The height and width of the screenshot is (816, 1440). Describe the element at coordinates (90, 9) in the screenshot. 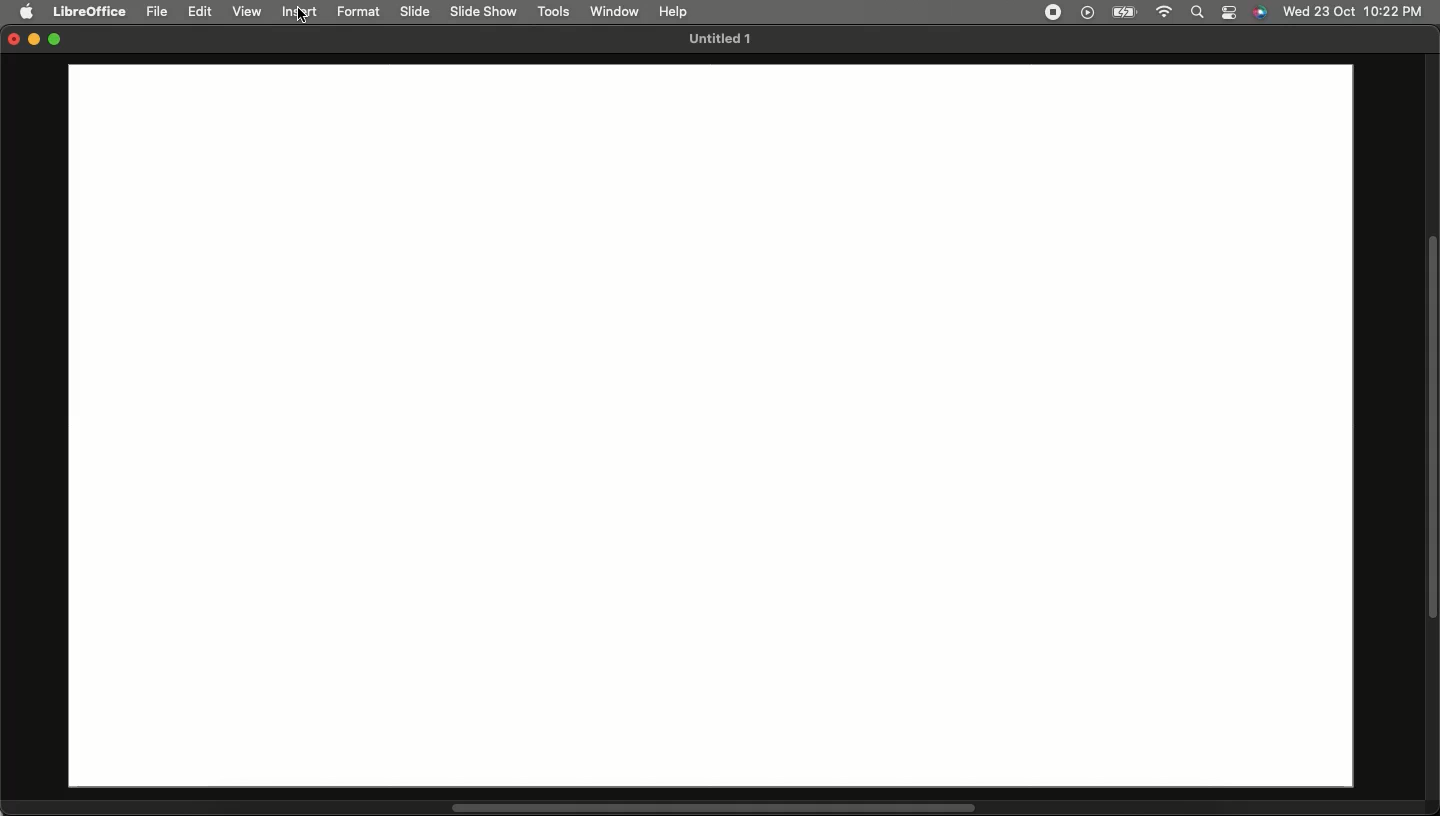

I see `LibreOffice` at that location.